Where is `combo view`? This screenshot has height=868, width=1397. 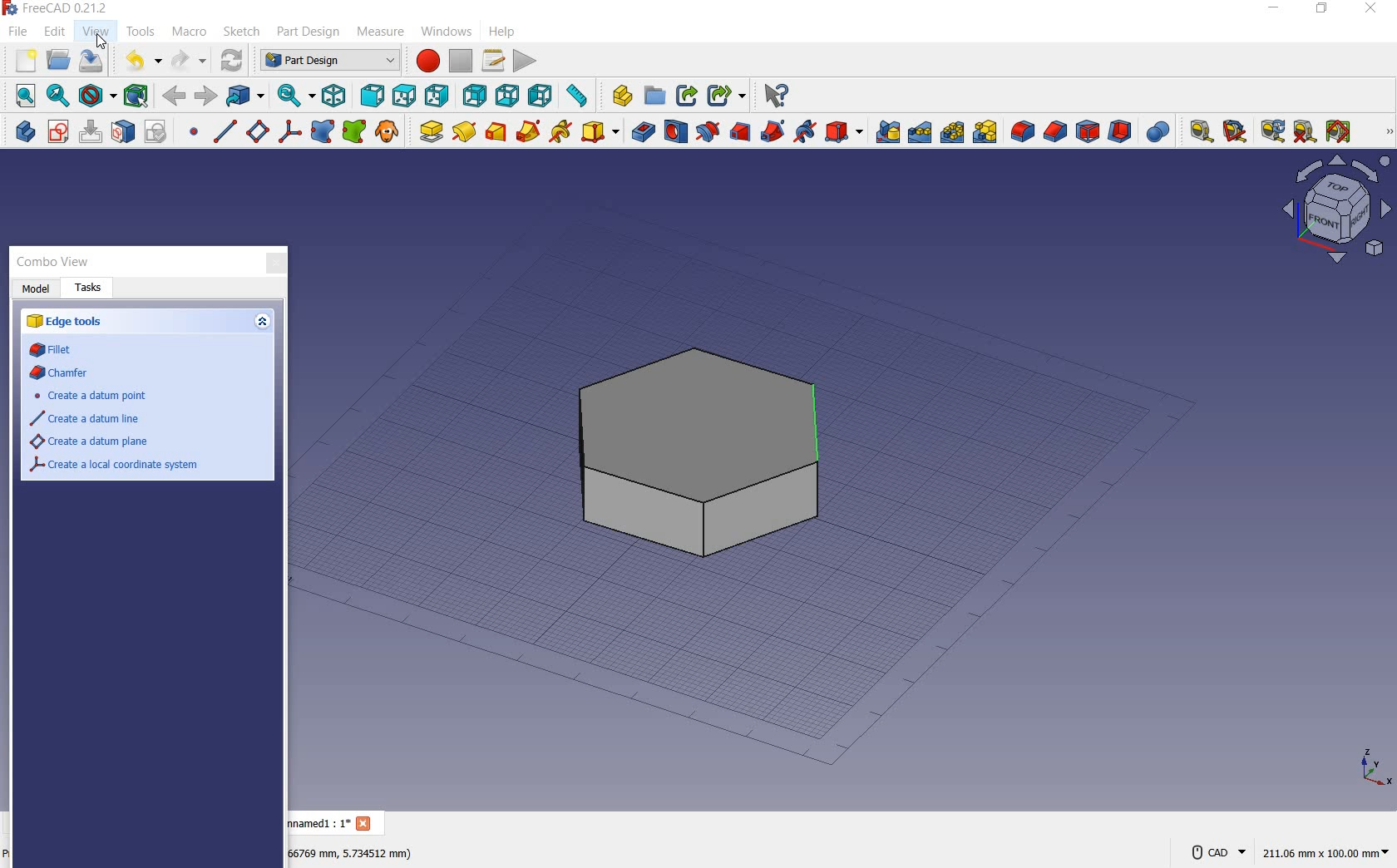 combo view is located at coordinates (59, 262).